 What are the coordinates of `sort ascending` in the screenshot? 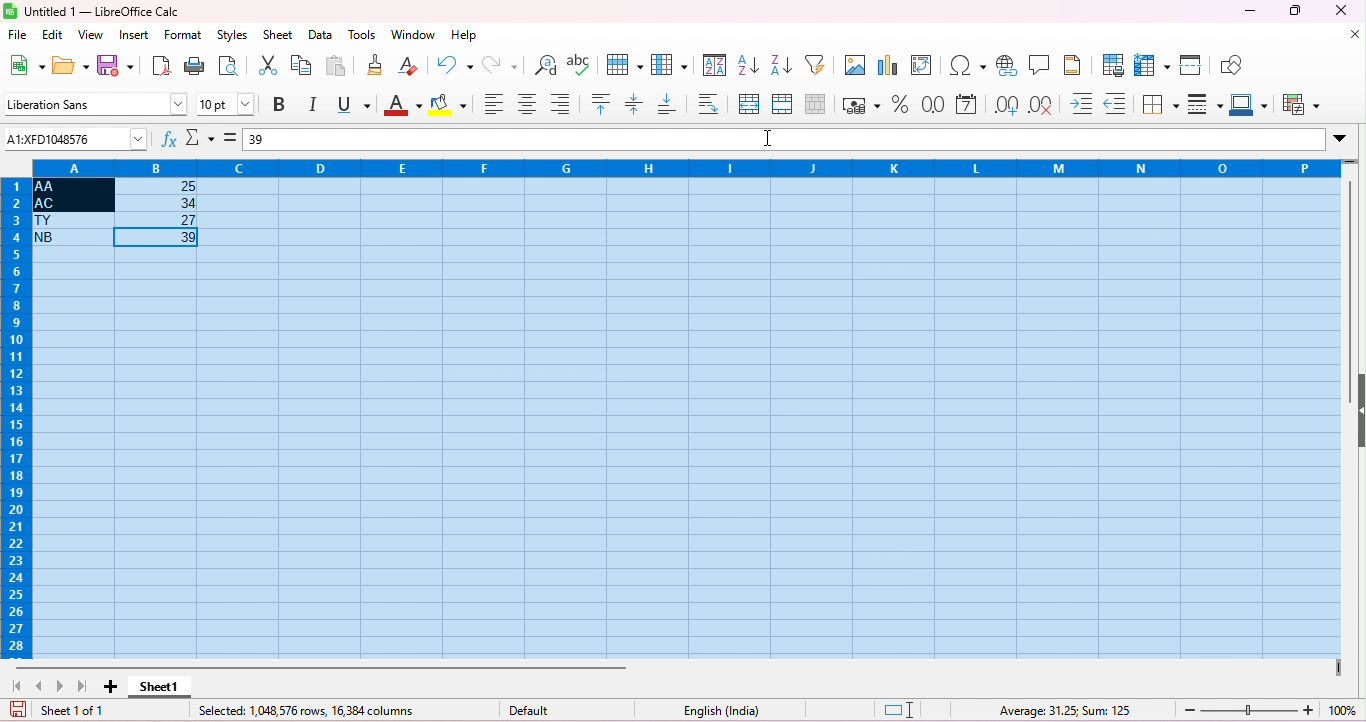 It's located at (749, 63).